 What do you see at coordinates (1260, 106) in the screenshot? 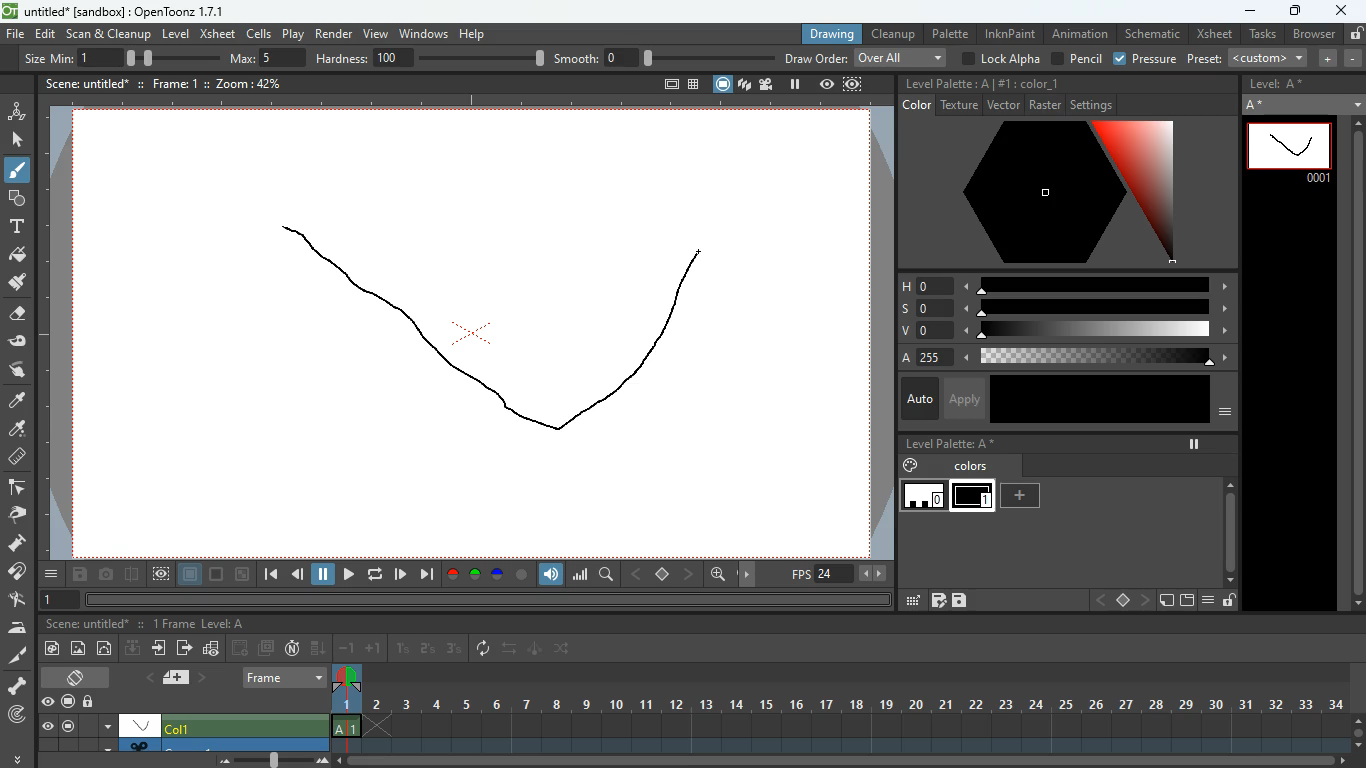
I see `a` at bounding box center [1260, 106].